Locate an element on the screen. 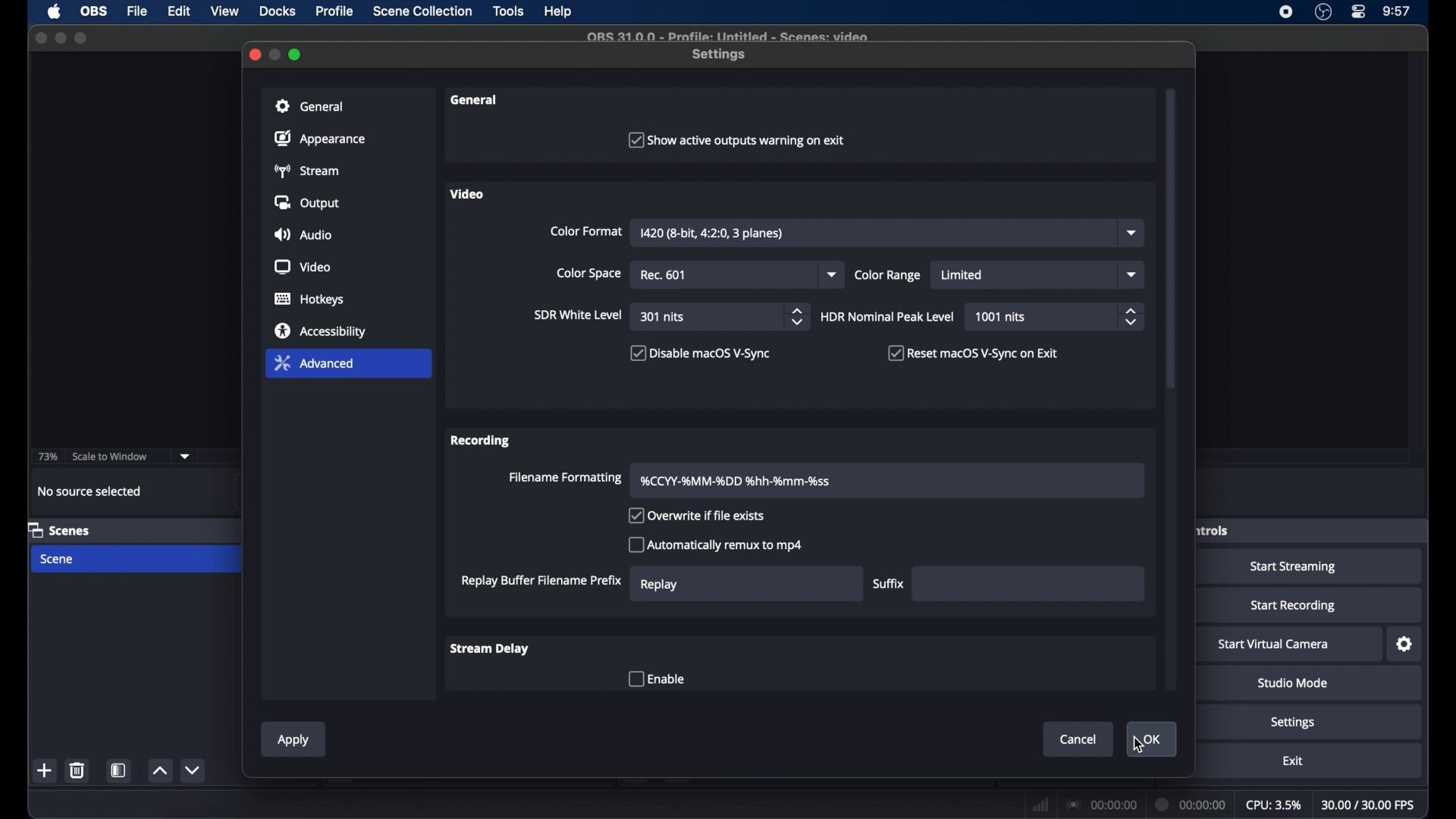 The image size is (1456, 819). exit is located at coordinates (1292, 761).